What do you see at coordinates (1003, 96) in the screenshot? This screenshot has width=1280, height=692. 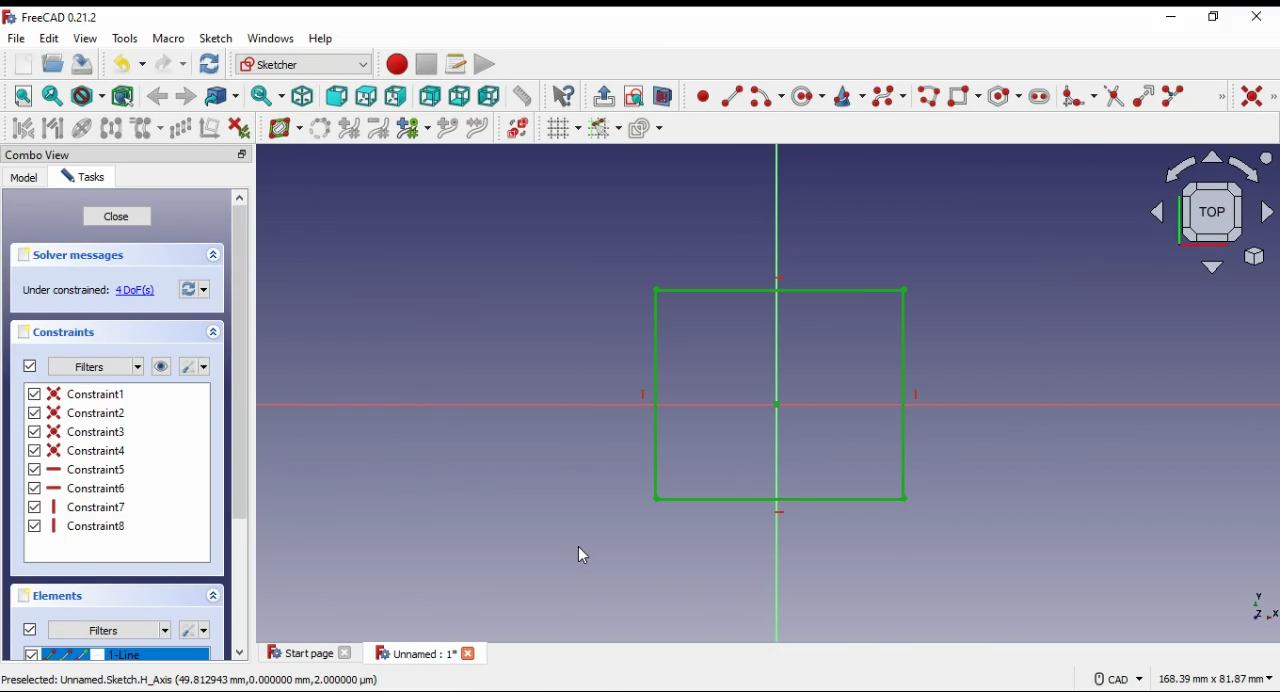 I see `create regular polygon` at bounding box center [1003, 96].